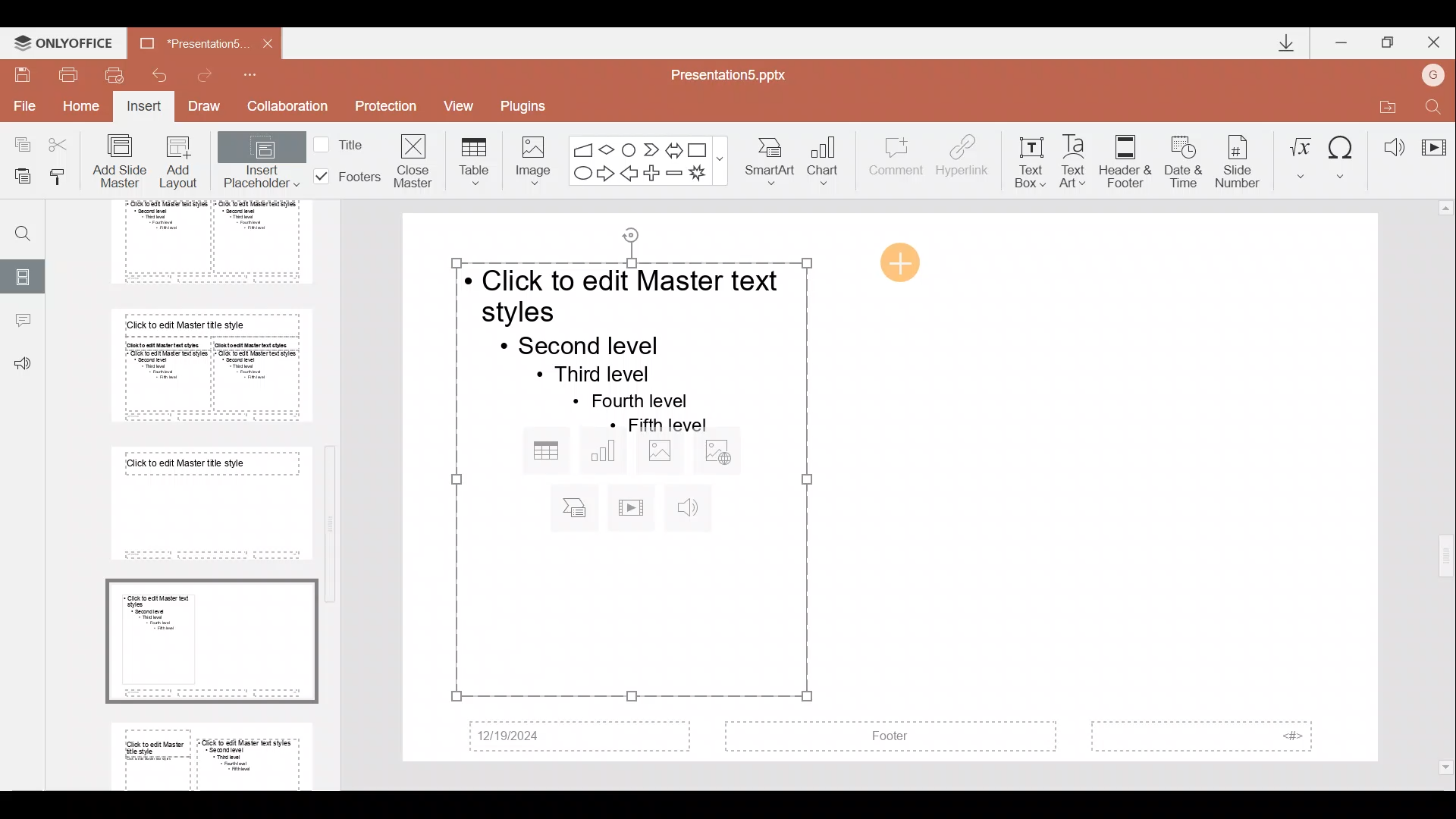  I want to click on Comment, so click(896, 163).